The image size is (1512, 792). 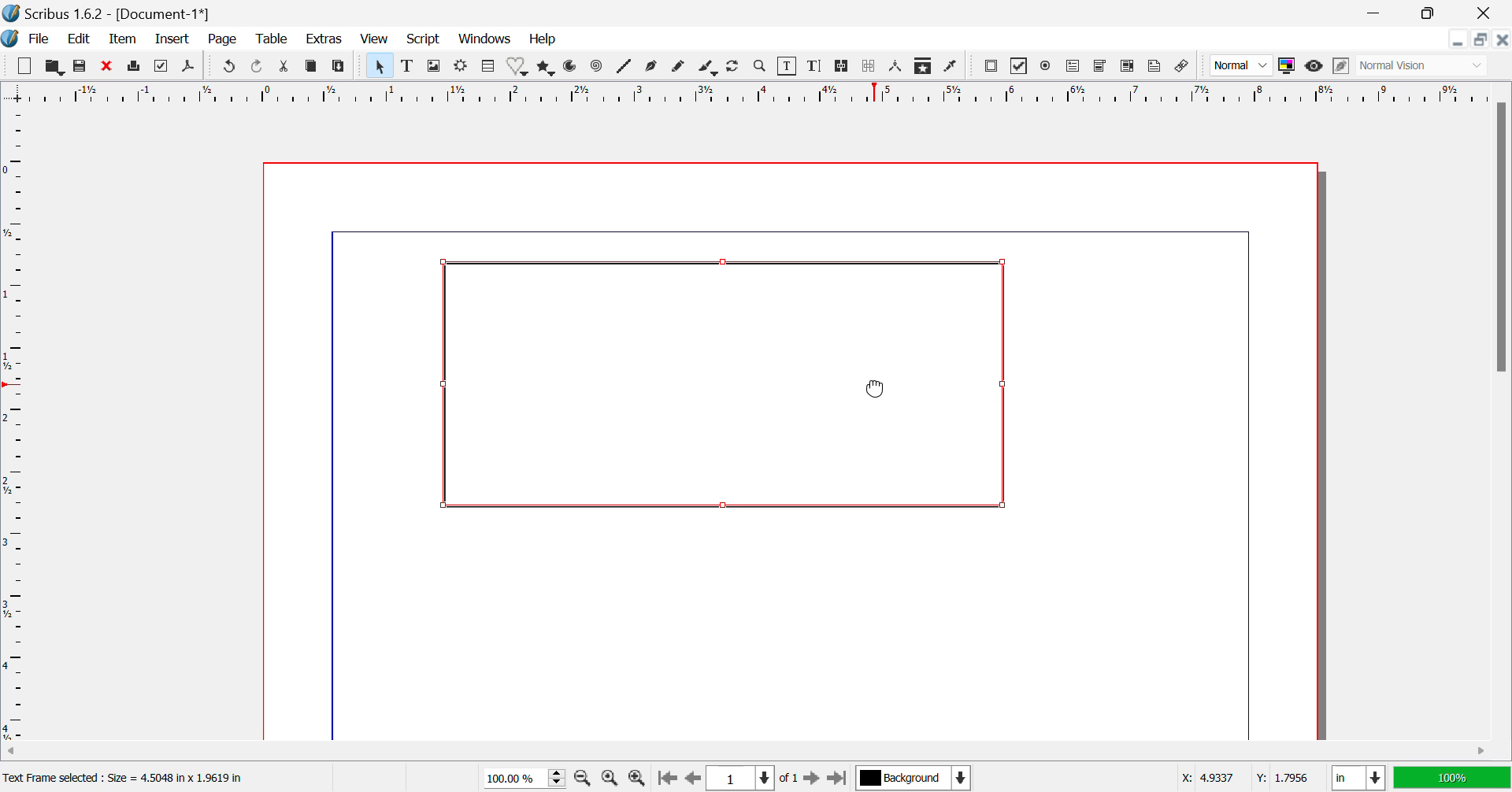 What do you see at coordinates (816, 68) in the screenshot?
I see `Edit Text with Story Editor` at bounding box center [816, 68].